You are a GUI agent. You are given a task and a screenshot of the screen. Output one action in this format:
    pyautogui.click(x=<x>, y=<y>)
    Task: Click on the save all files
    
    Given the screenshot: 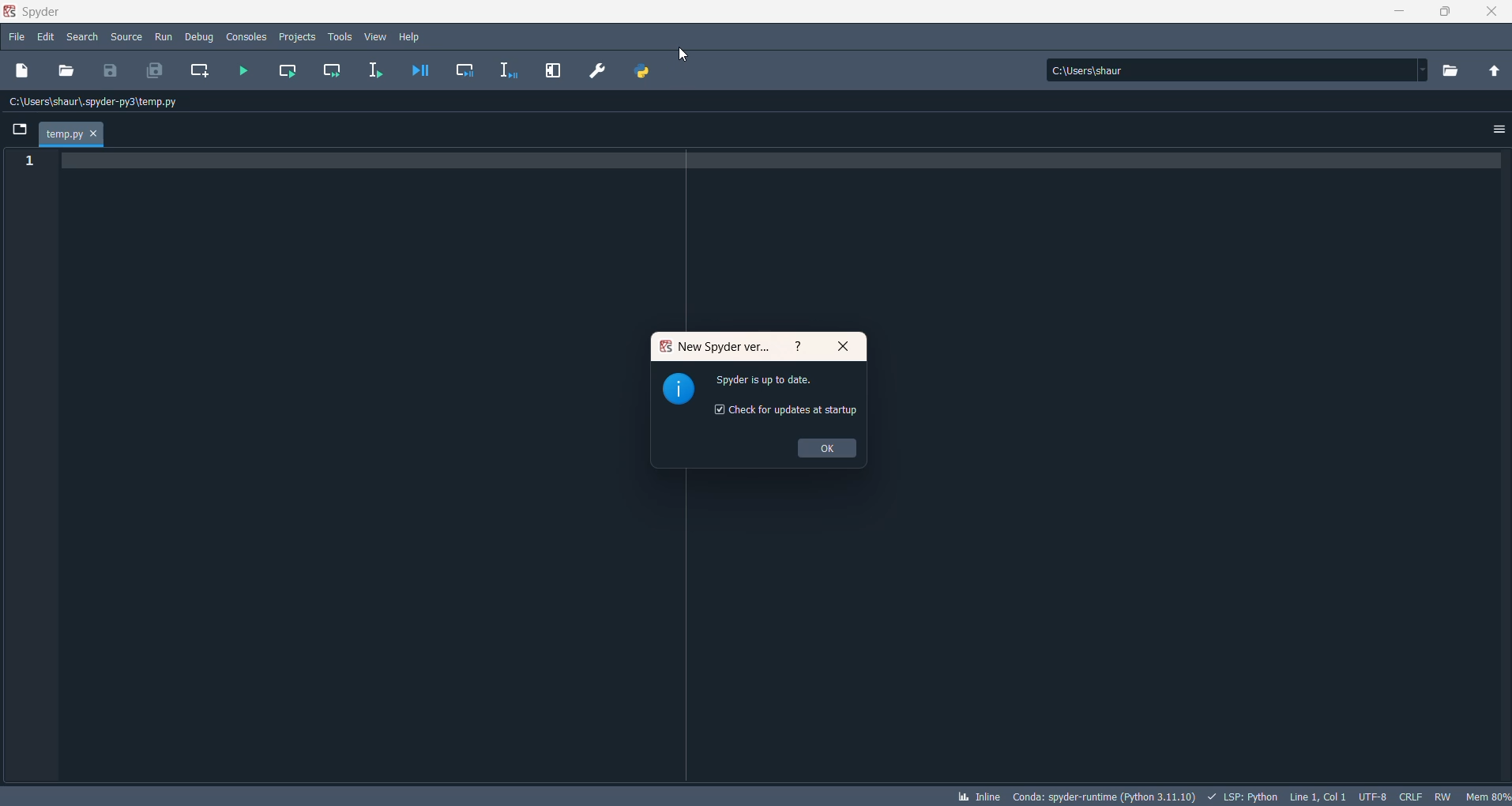 What is the action you would take?
    pyautogui.click(x=156, y=71)
    